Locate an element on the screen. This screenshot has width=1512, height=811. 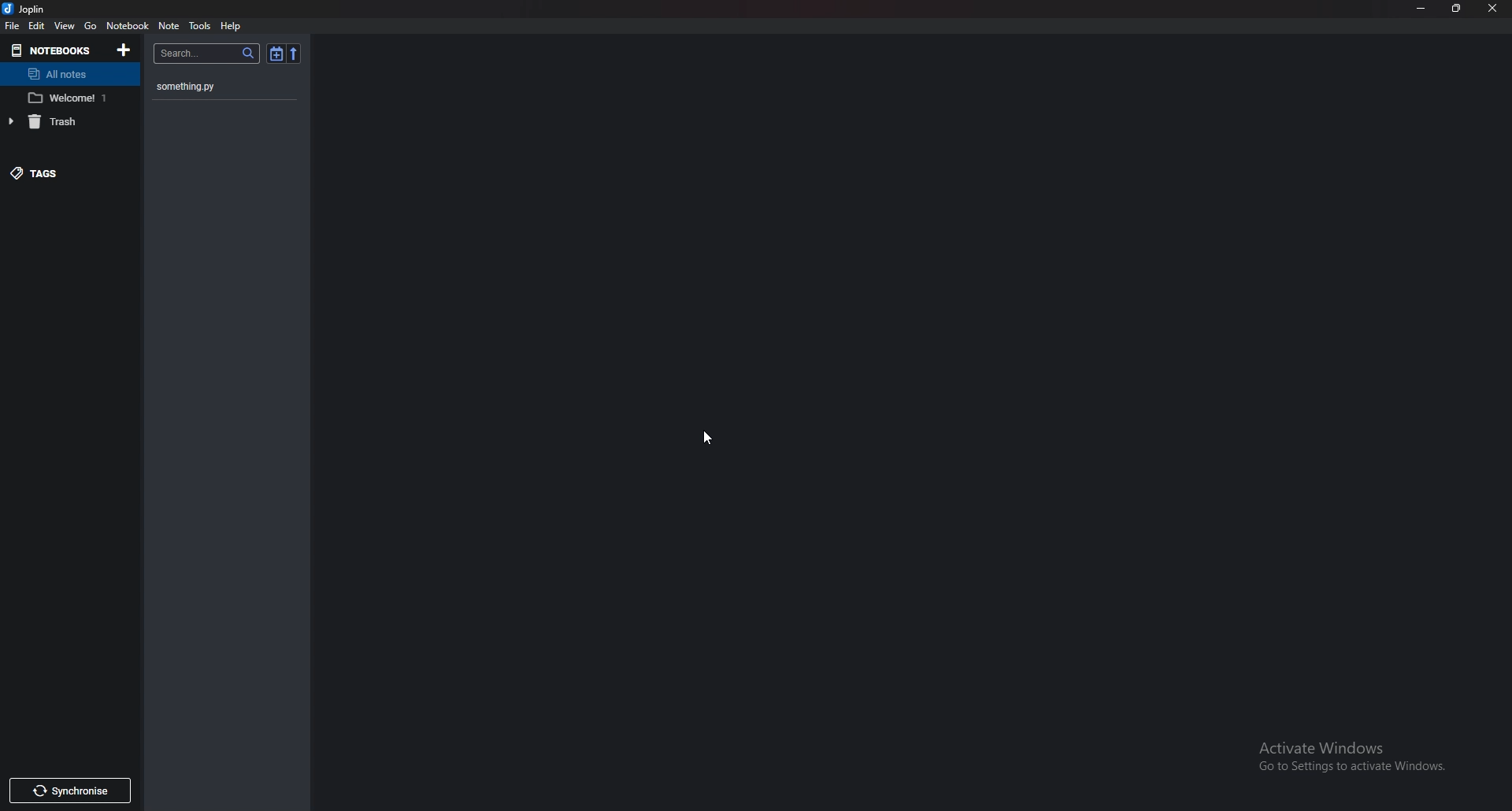
joplin is located at coordinates (24, 9).